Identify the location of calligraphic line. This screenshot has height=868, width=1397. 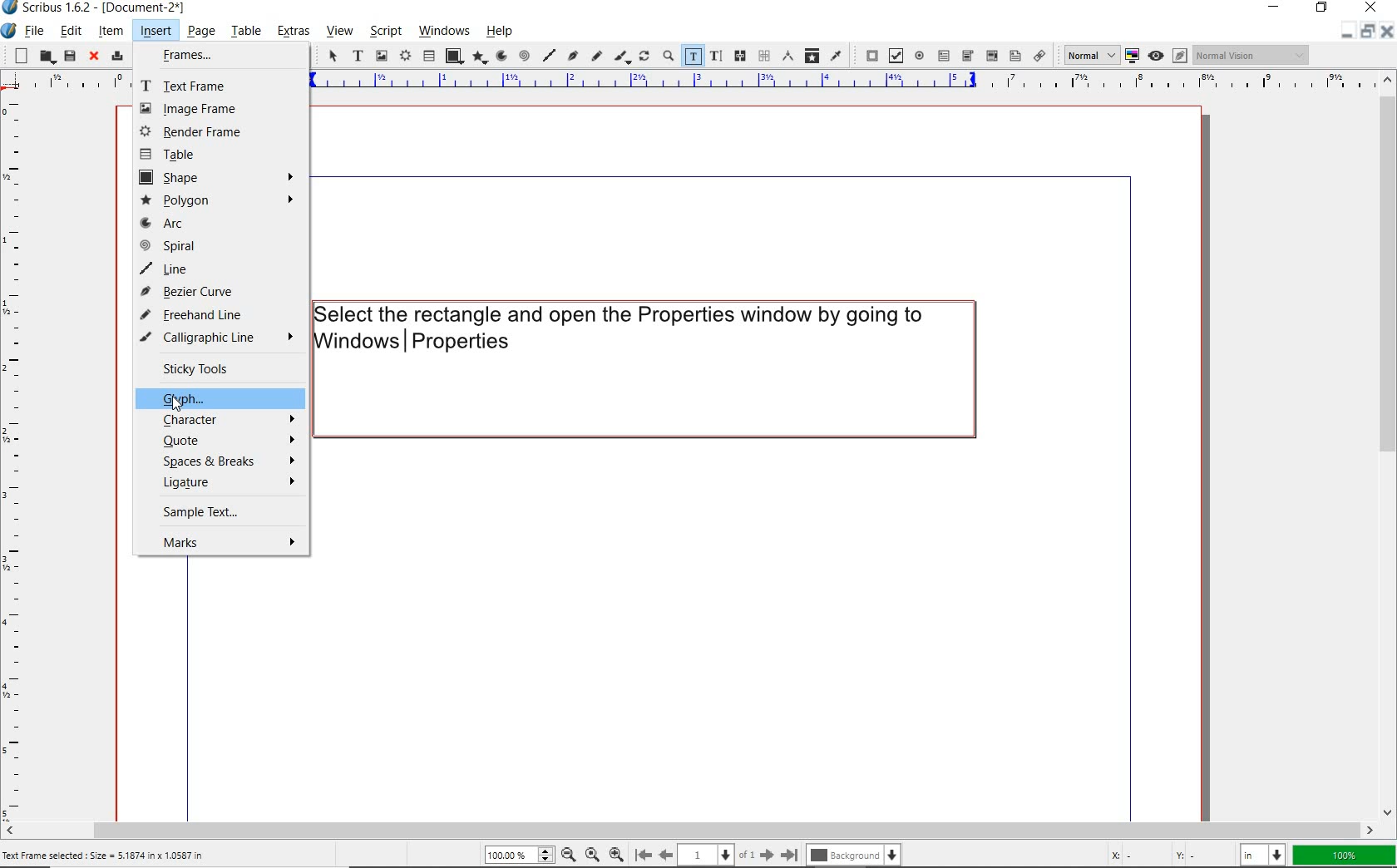
(622, 57).